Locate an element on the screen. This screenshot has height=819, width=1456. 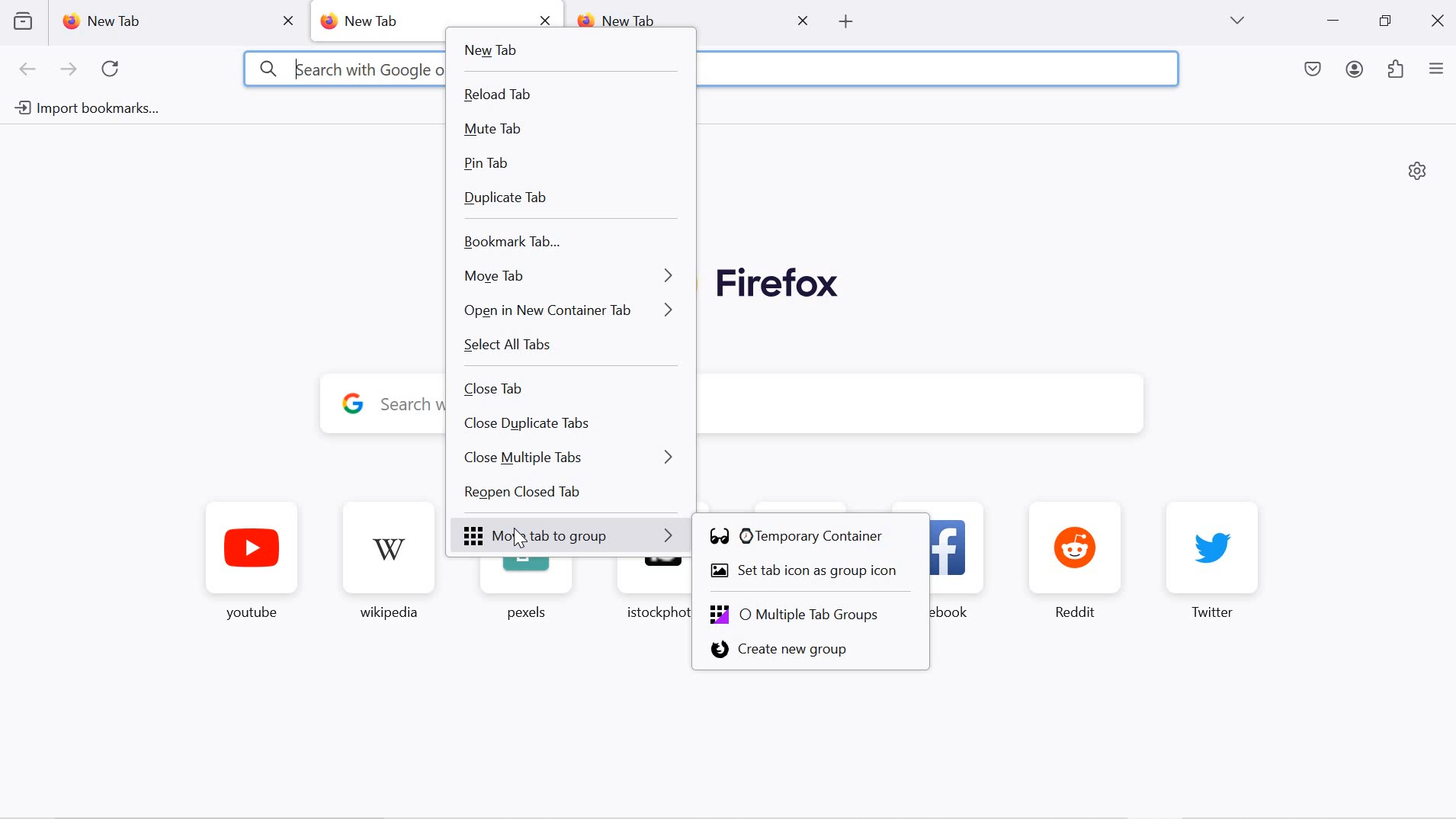
3 kearch with Google or enter address is located at coordinates (342, 69).